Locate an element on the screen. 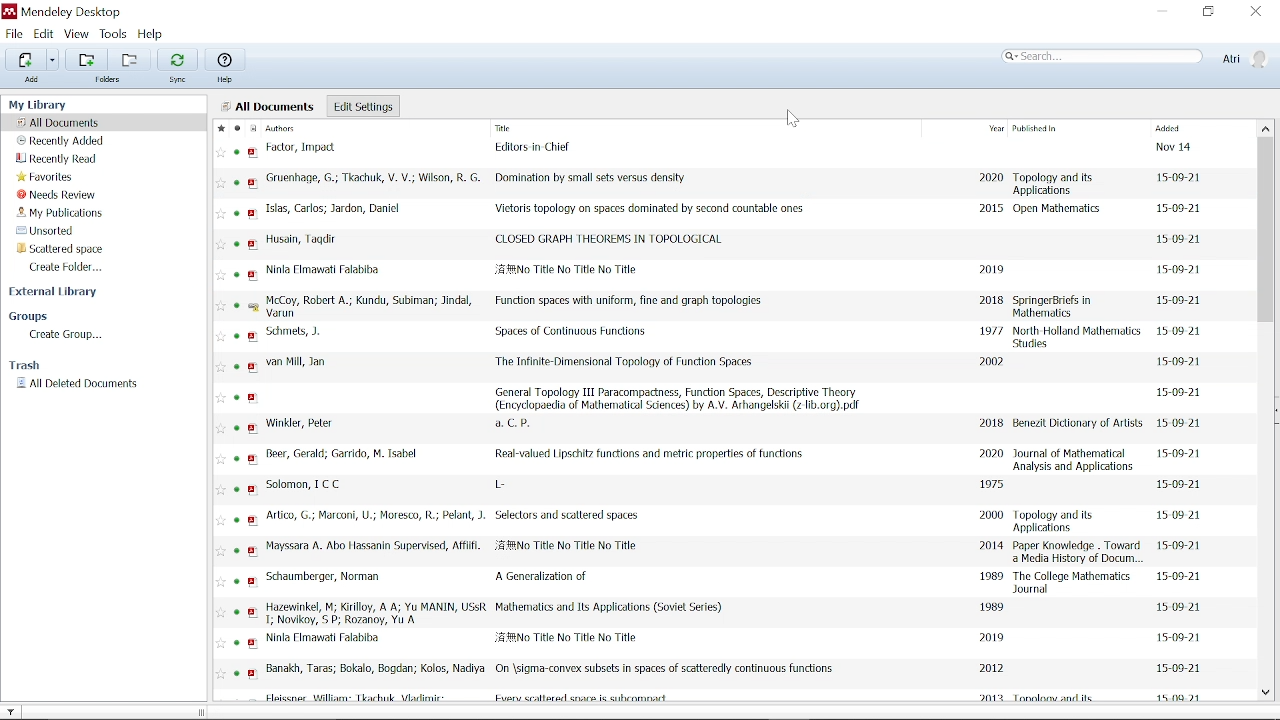 This screenshot has height=720, width=1280. Filter is located at coordinates (17, 709).